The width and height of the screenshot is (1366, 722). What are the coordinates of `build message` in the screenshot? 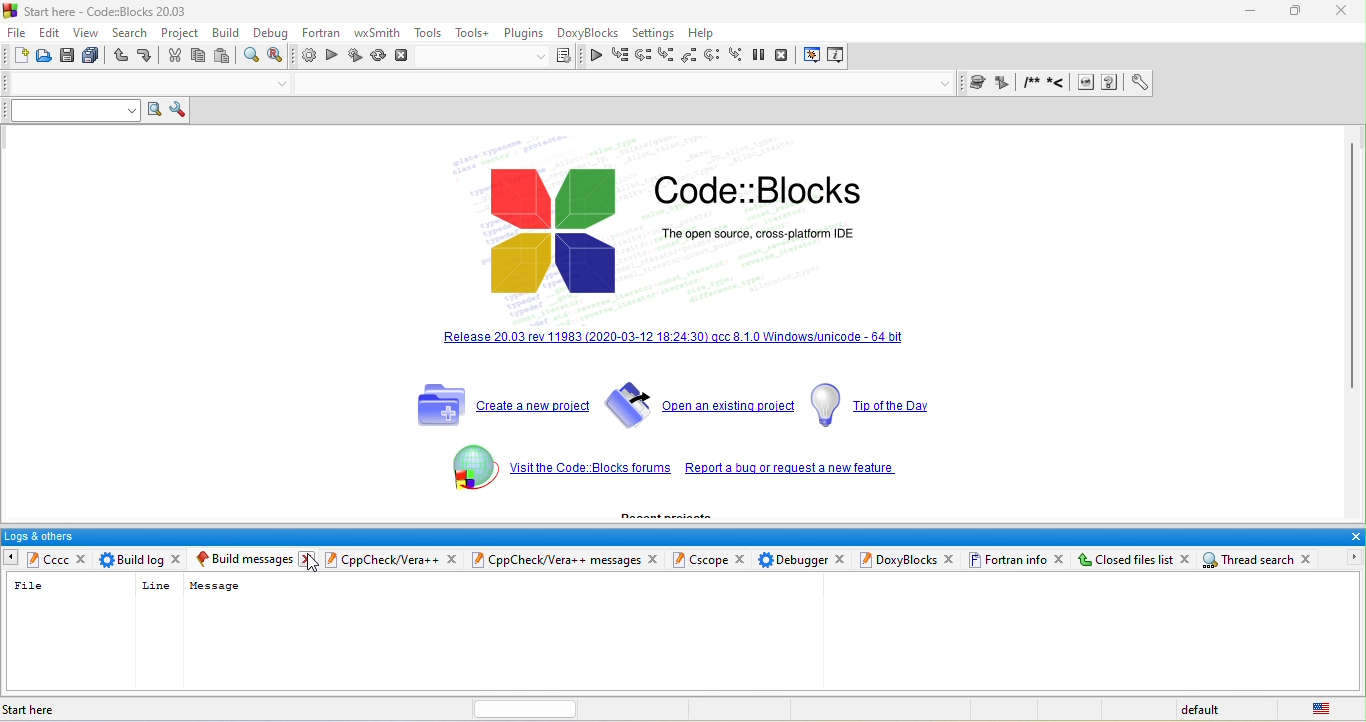 It's located at (247, 559).